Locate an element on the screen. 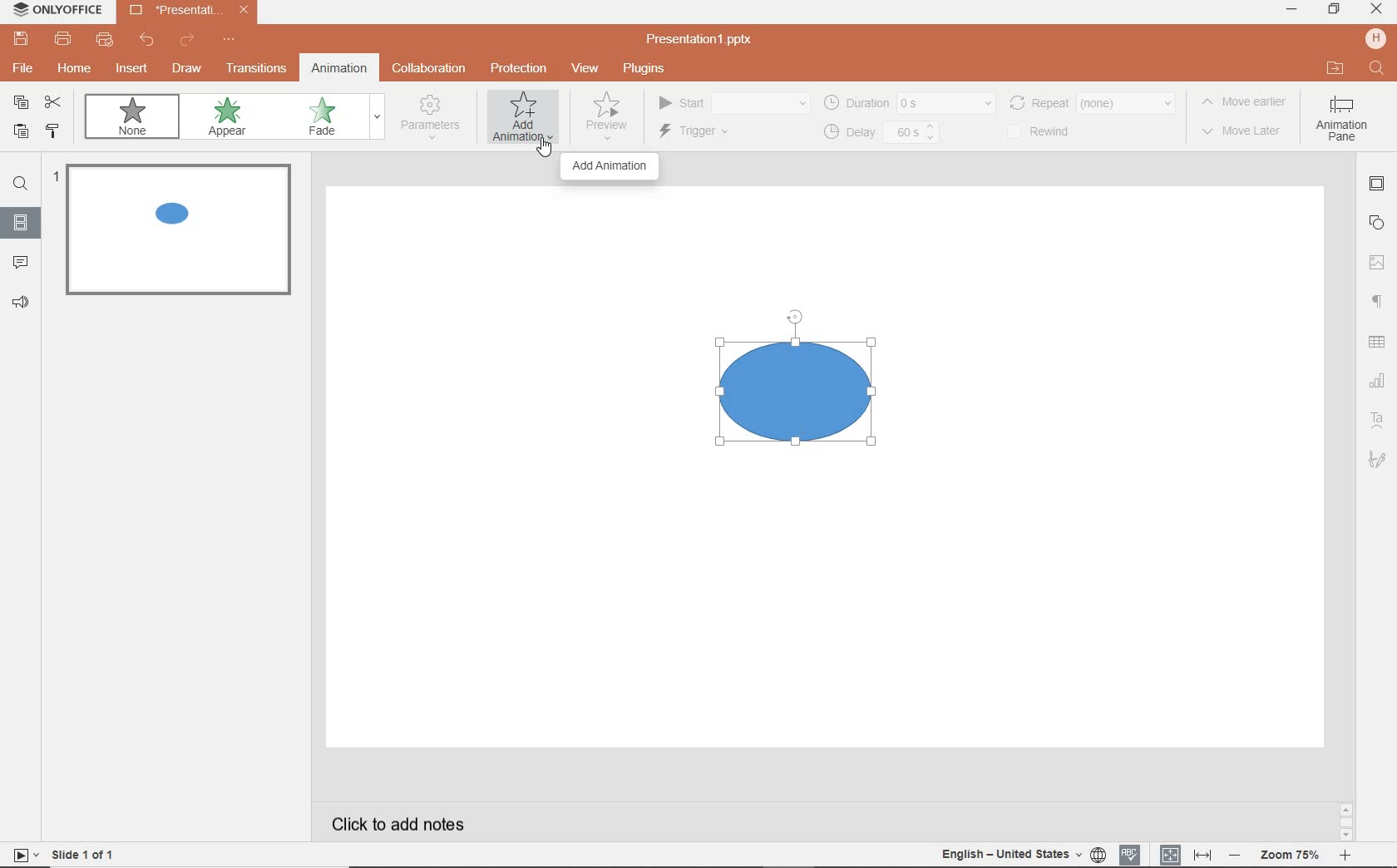  move earlier is located at coordinates (1248, 104).